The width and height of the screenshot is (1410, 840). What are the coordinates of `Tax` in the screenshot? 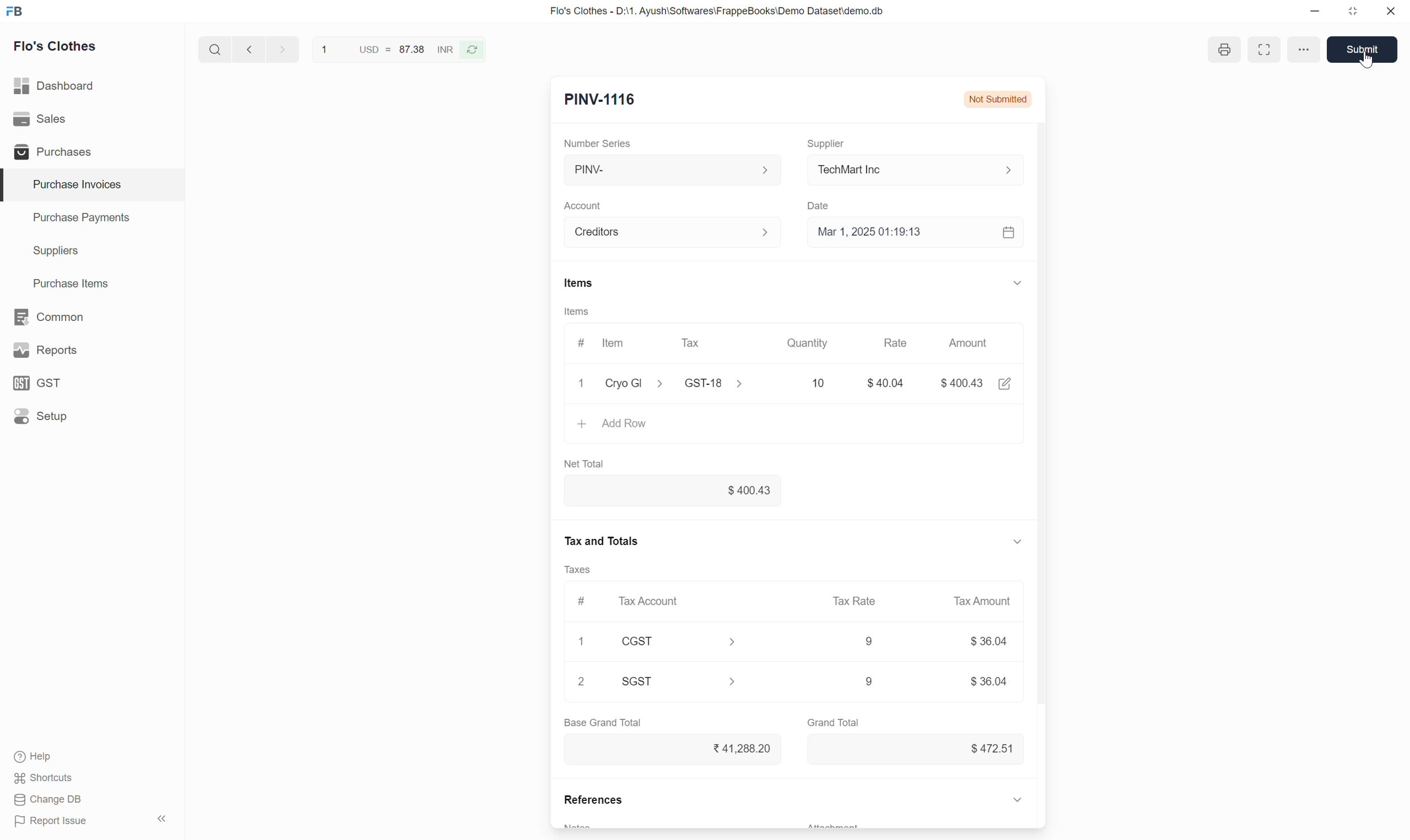 It's located at (694, 342).